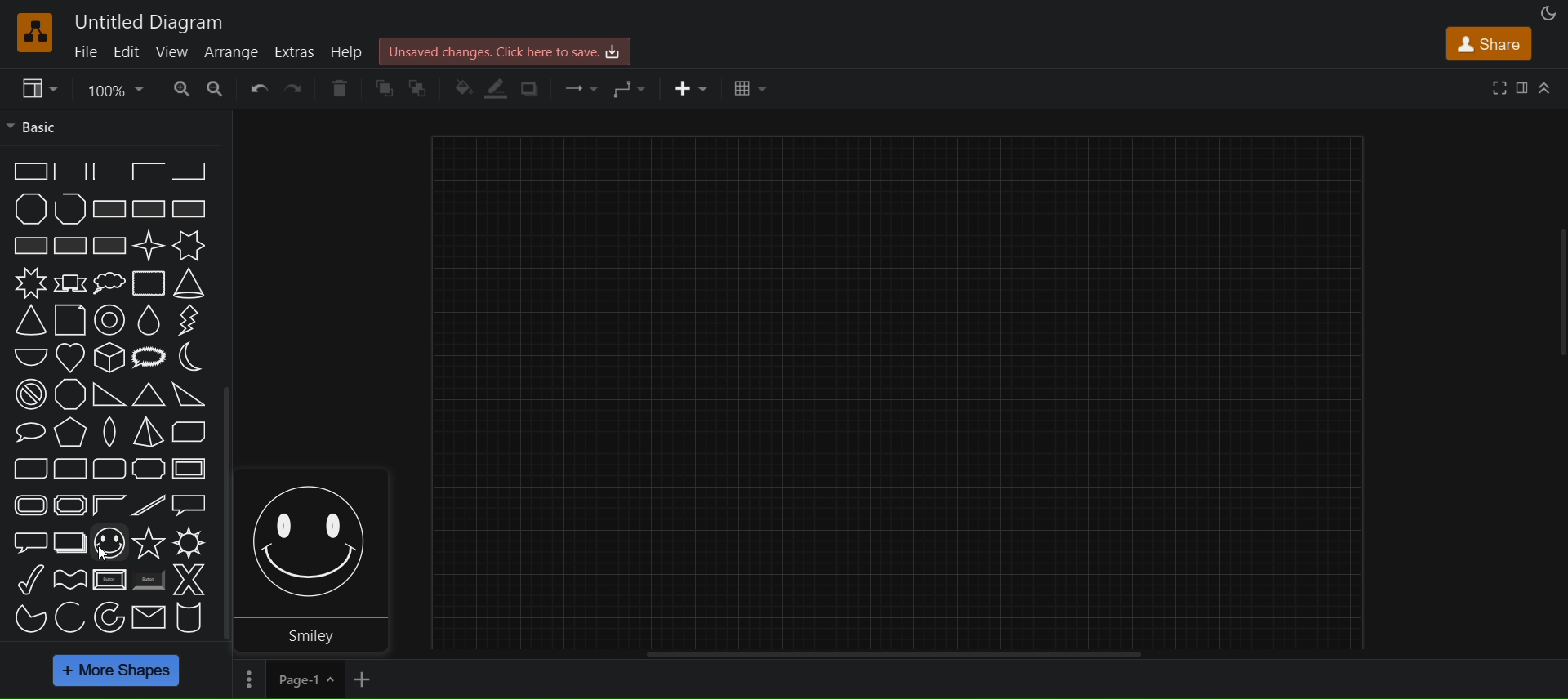 This screenshot has width=1568, height=699. What do you see at coordinates (109, 246) in the screenshot?
I see `rectangle with diagonal grid fill` at bounding box center [109, 246].